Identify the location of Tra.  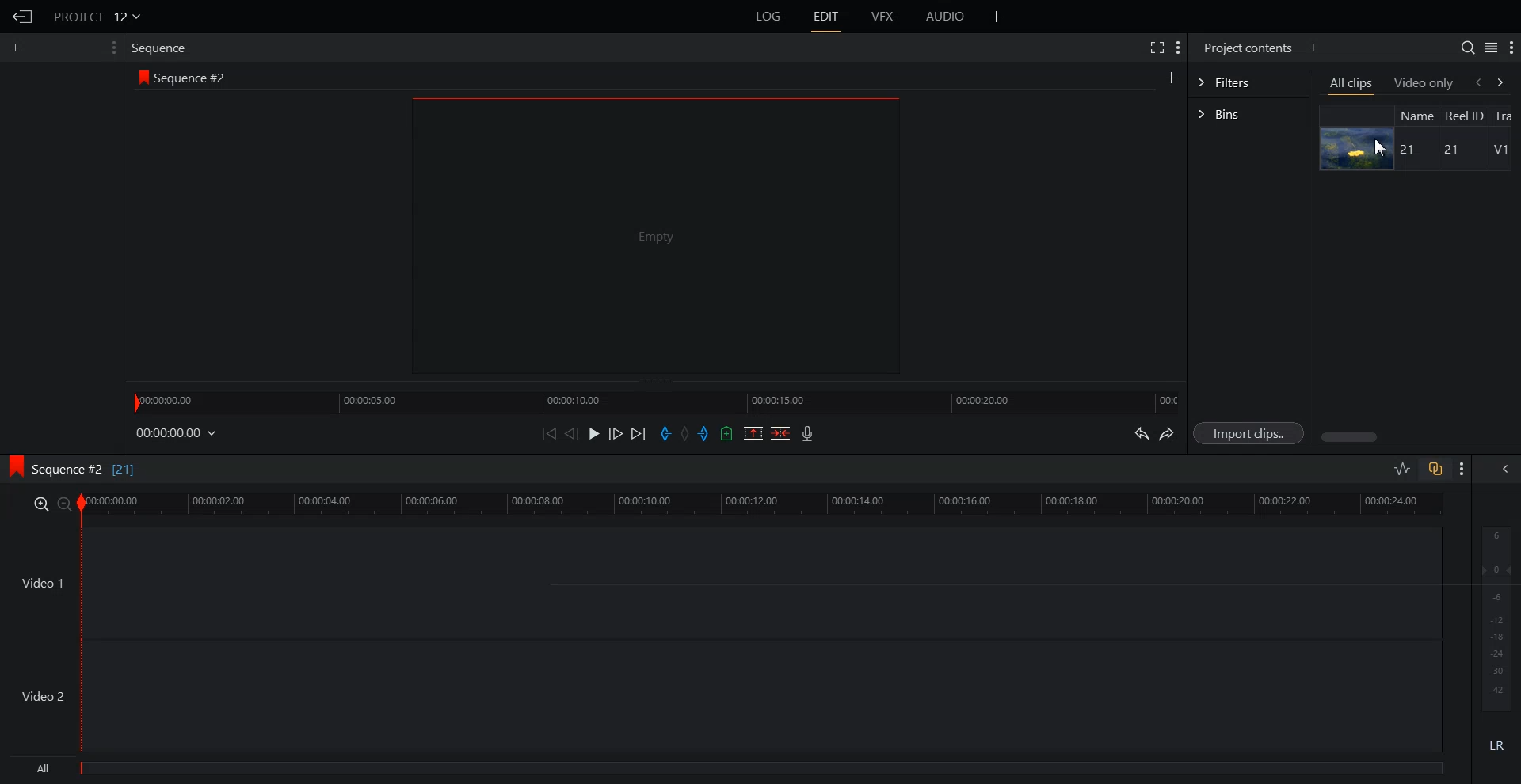
(1507, 114).